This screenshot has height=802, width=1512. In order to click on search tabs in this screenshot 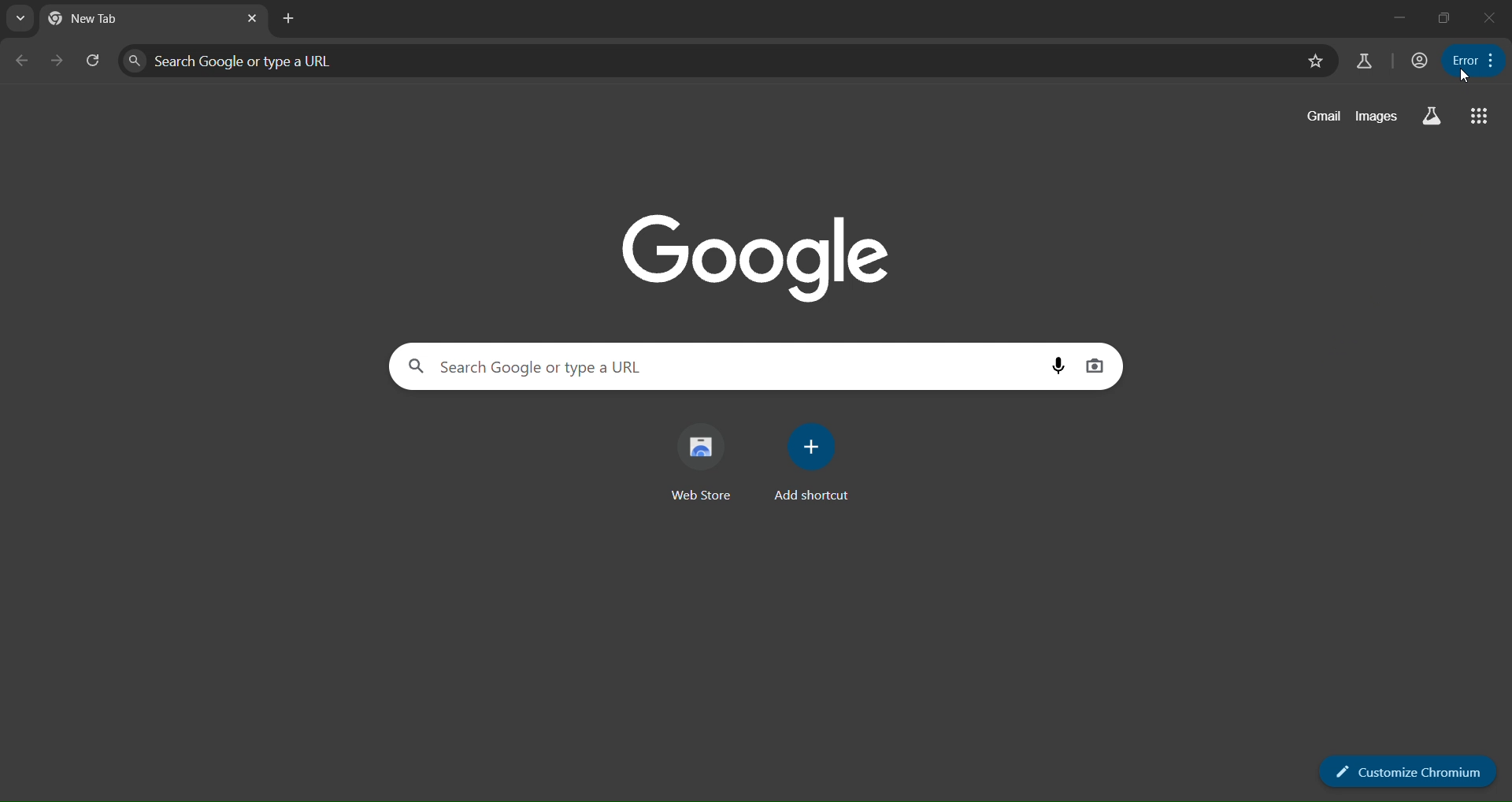, I will do `click(18, 19)`.